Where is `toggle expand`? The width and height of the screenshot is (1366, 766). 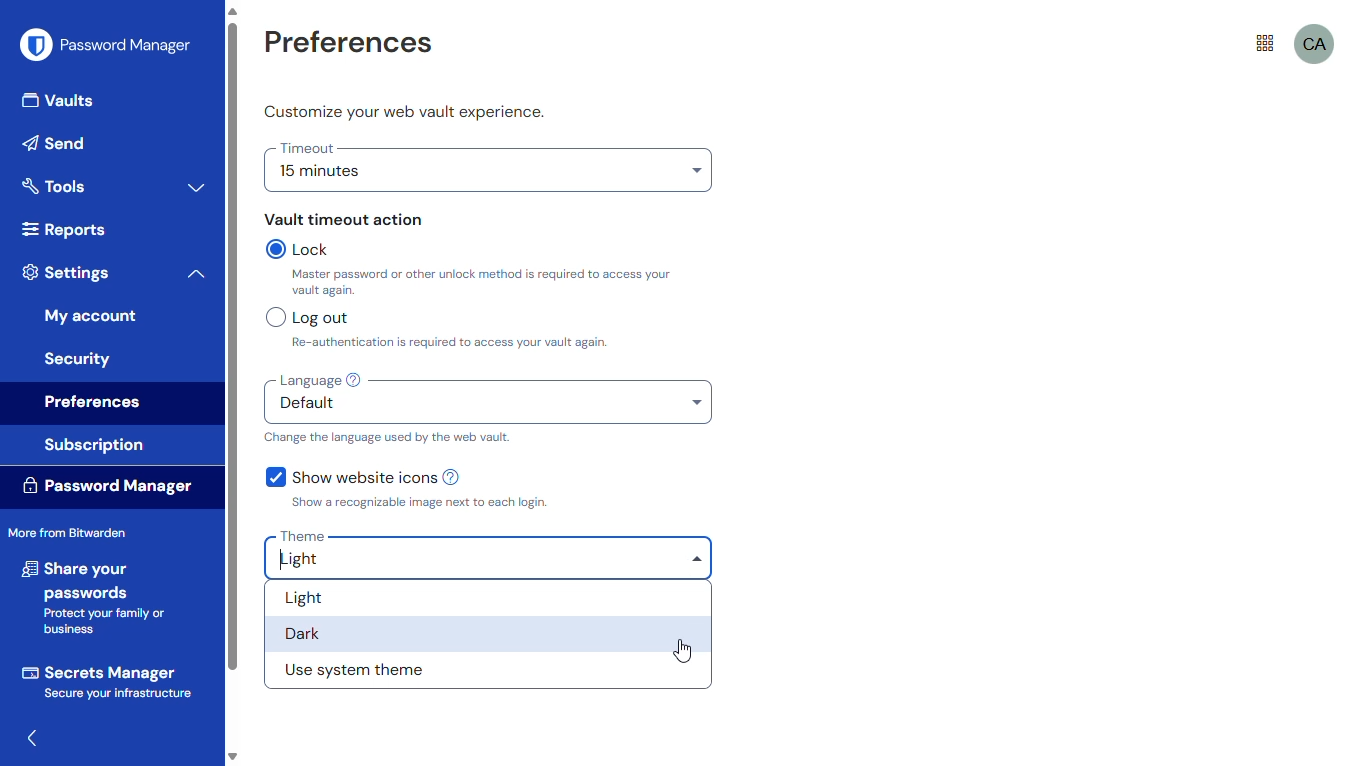 toggle expand is located at coordinates (197, 187).